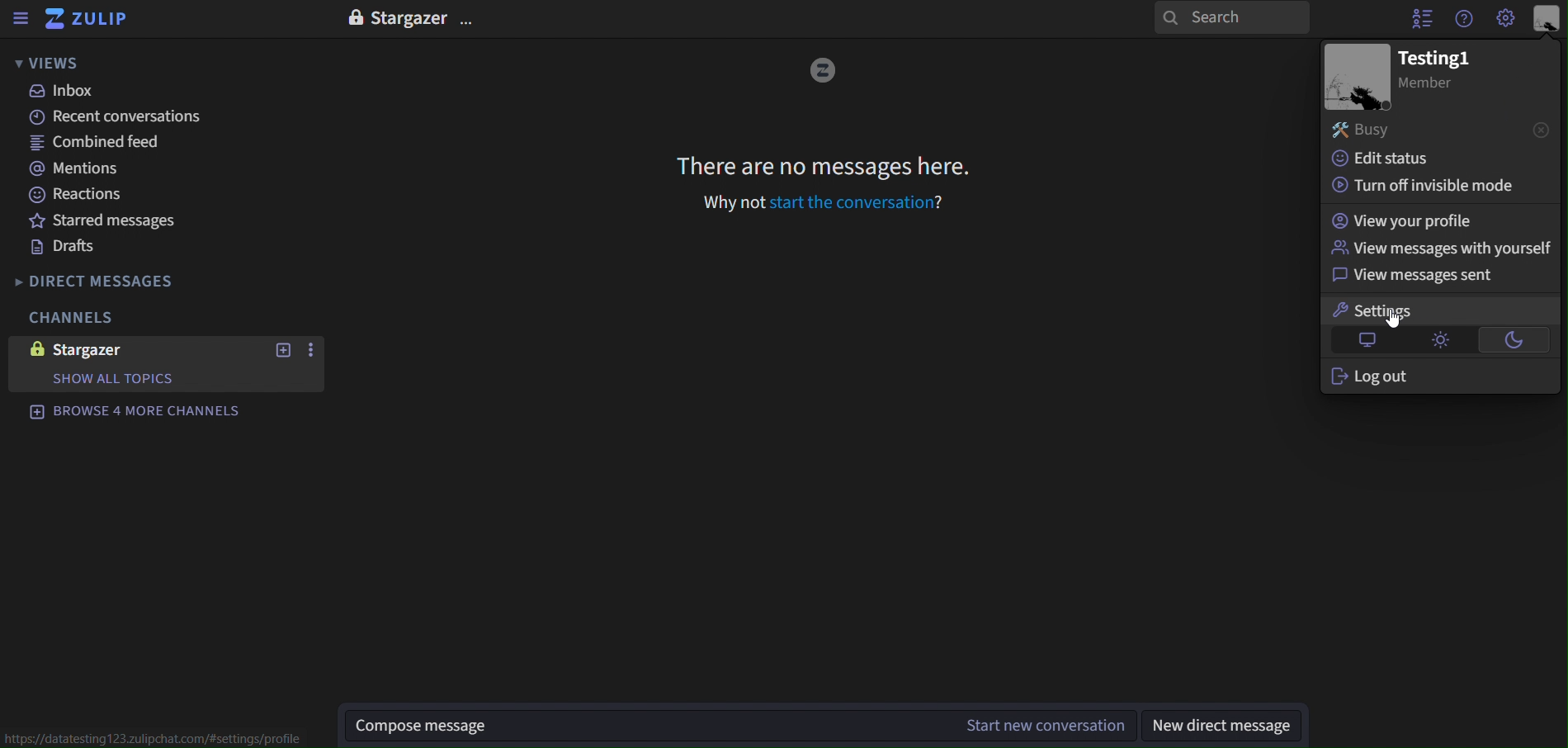 The height and width of the screenshot is (748, 1568). I want to click on sidebar, so click(20, 21).